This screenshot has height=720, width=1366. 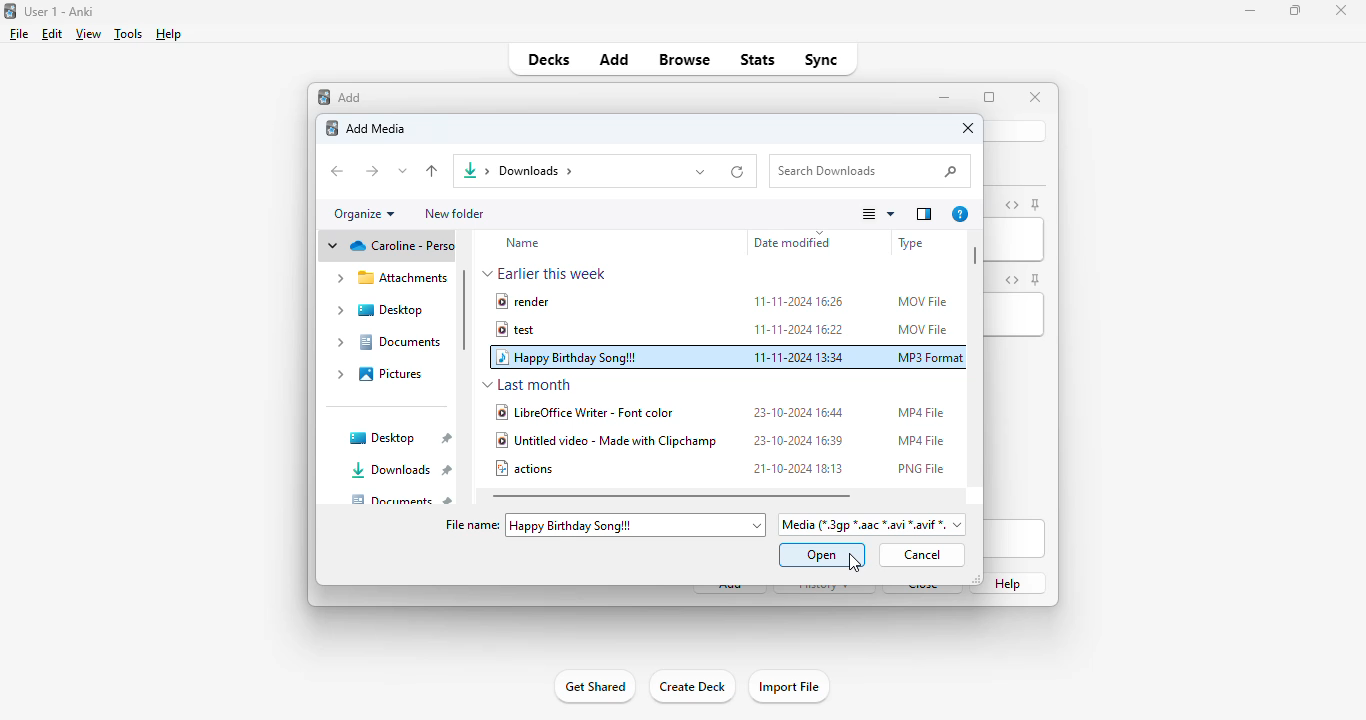 What do you see at coordinates (376, 129) in the screenshot?
I see `add media` at bounding box center [376, 129].